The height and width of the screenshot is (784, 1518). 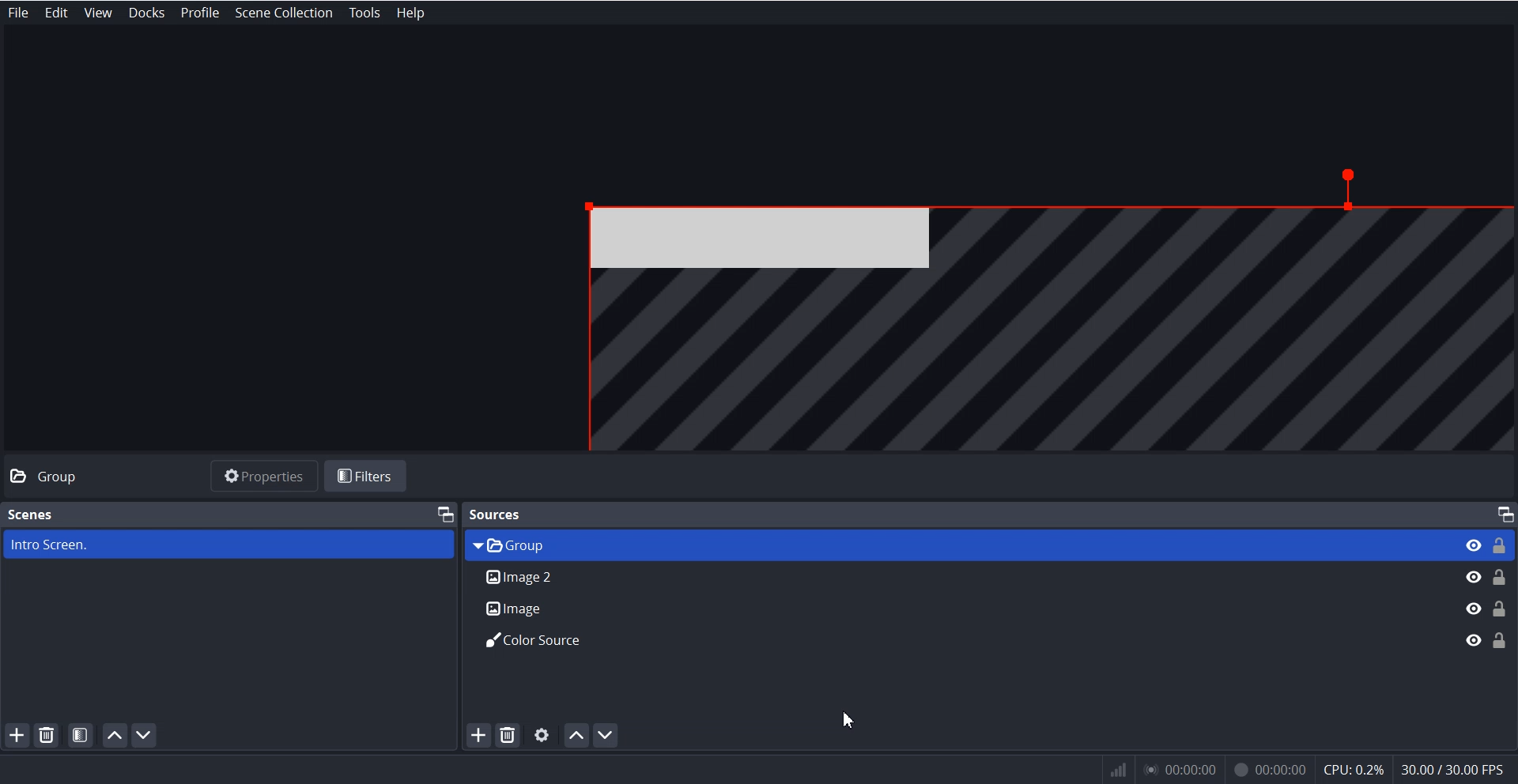 What do you see at coordinates (444, 513) in the screenshot?
I see `Maximize` at bounding box center [444, 513].